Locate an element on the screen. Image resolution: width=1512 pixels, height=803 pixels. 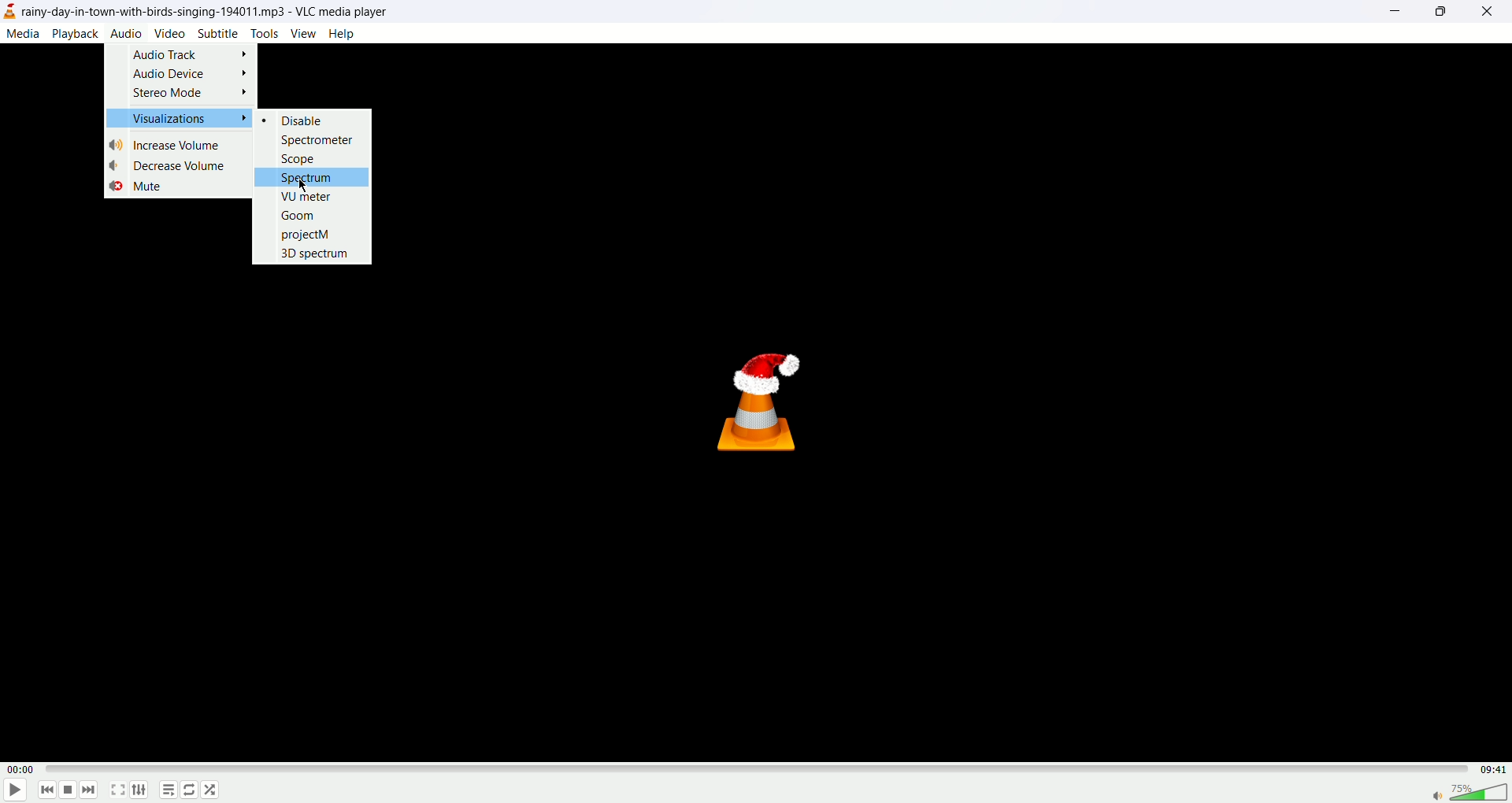
tools is located at coordinates (264, 34).